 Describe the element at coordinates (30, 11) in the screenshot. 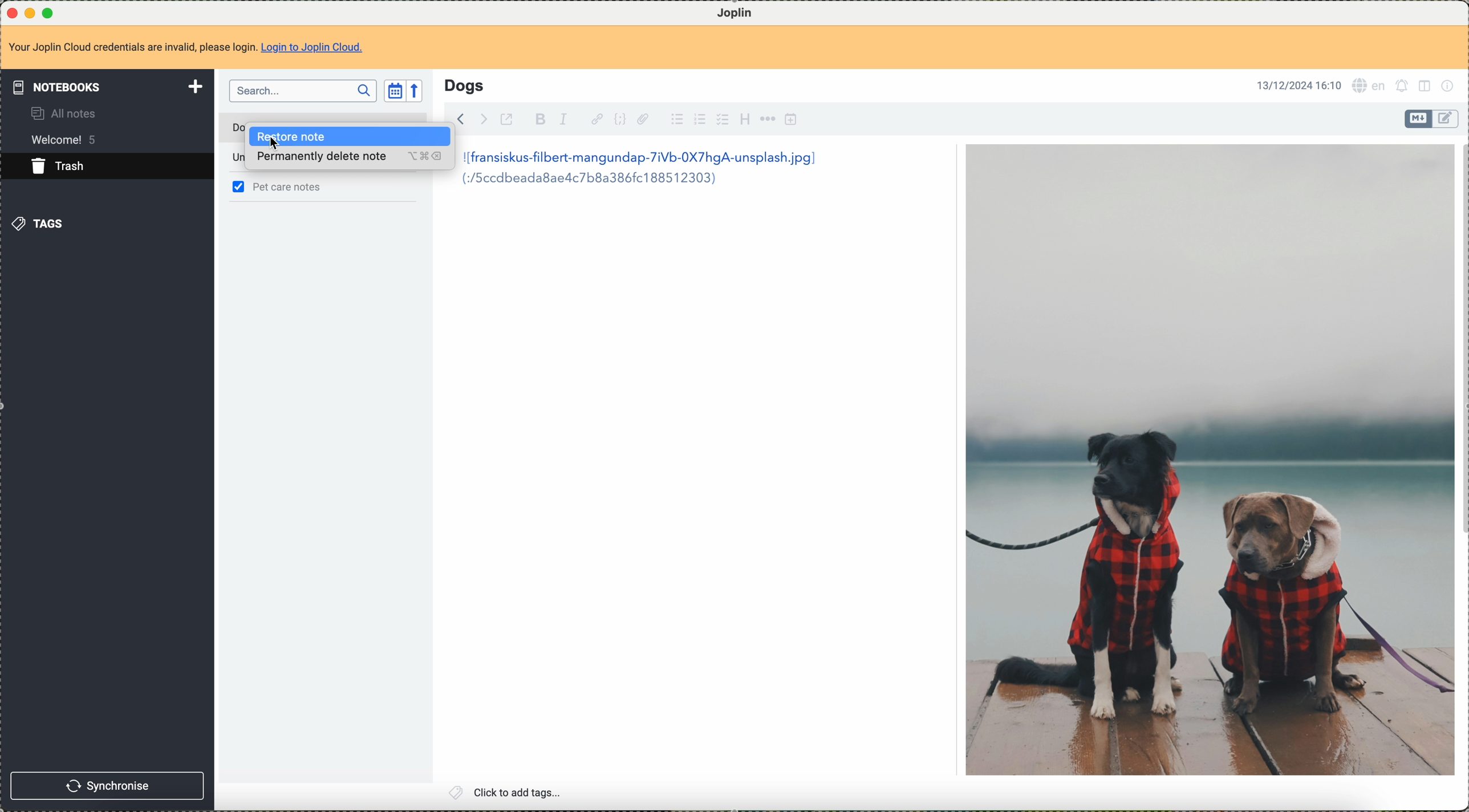

I see `minimize program` at that location.